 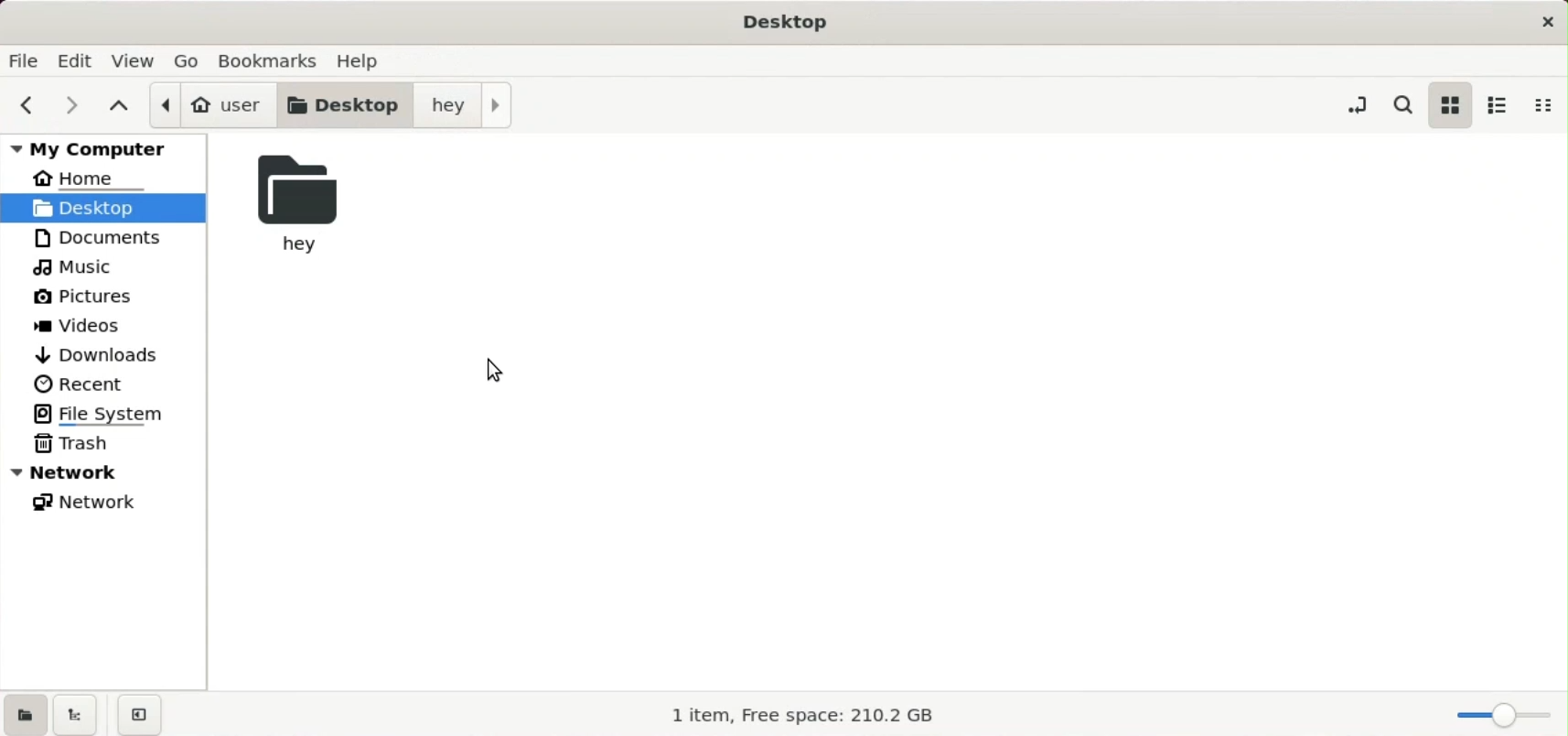 I want to click on show treeview, so click(x=75, y=716).